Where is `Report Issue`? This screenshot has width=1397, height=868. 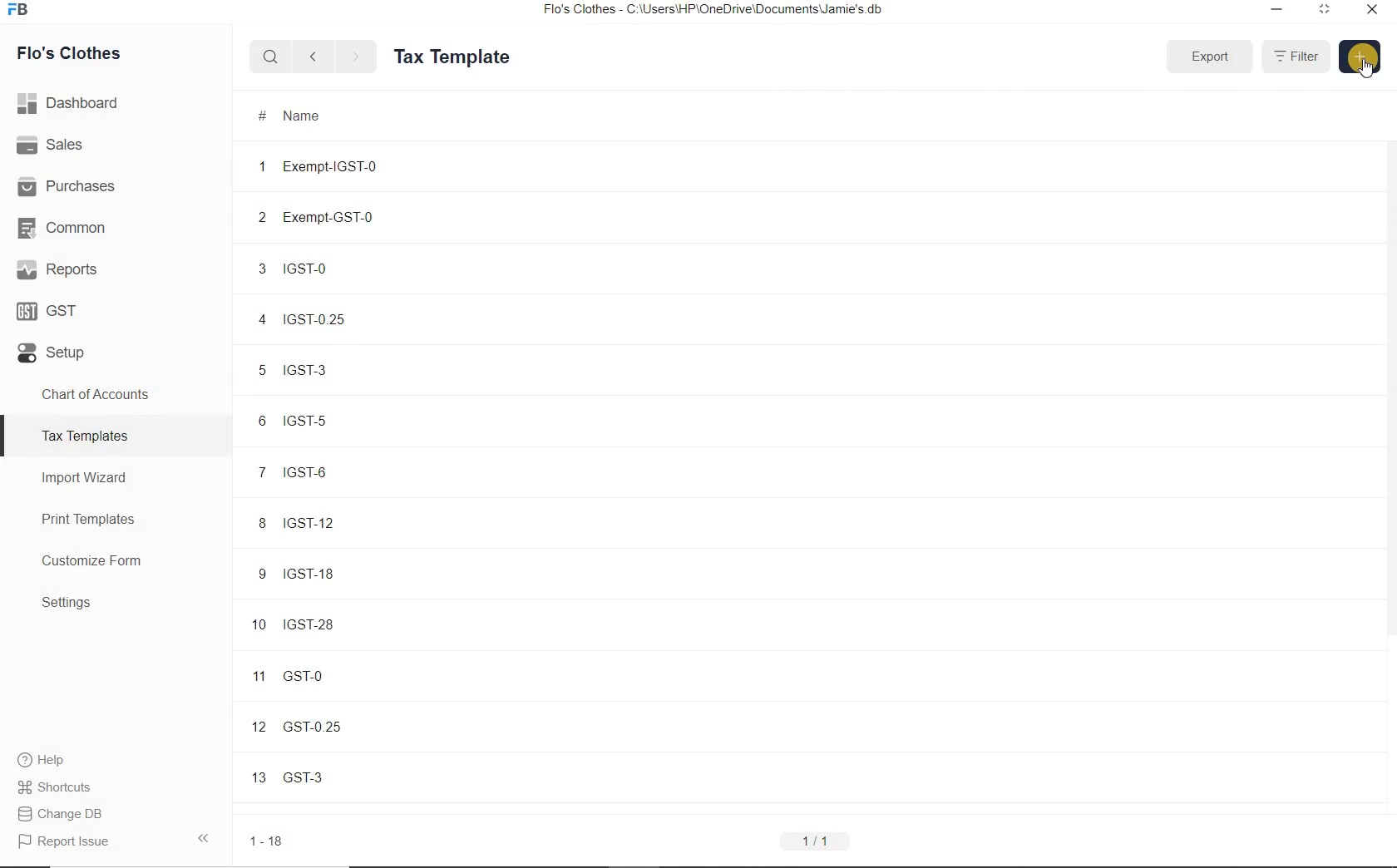
Report Issue is located at coordinates (116, 841).